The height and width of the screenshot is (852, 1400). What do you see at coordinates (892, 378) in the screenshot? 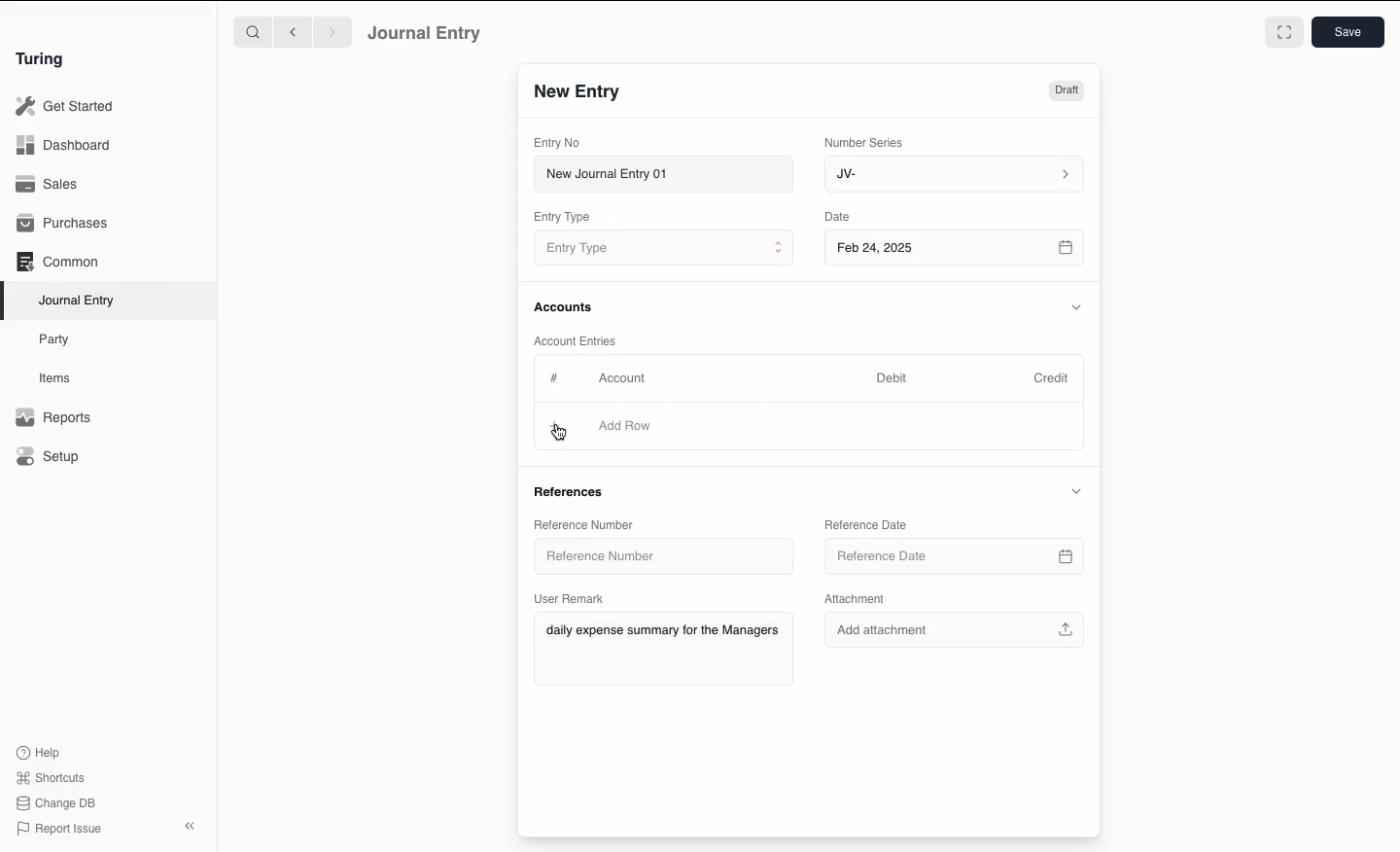
I see `Debit` at bounding box center [892, 378].